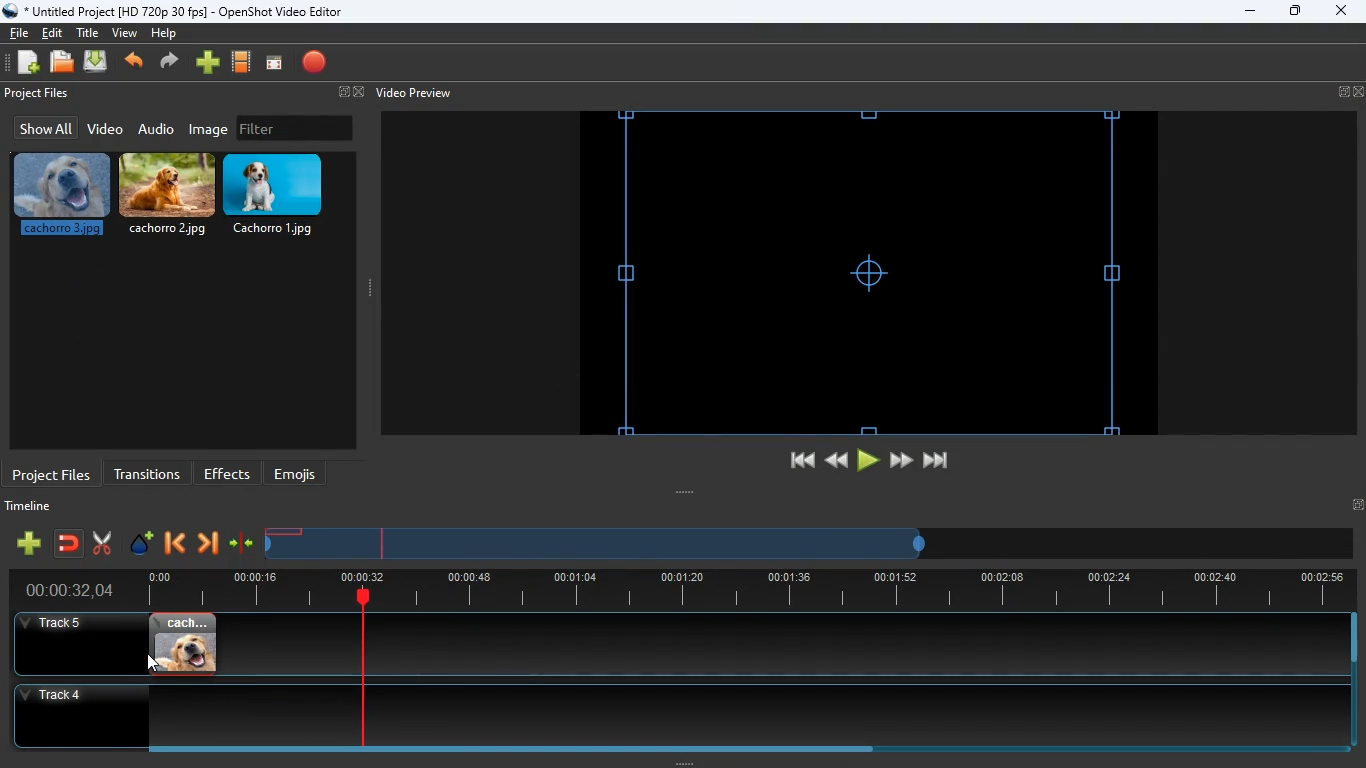 The width and height of the screenshot is (1366, 768). I want to click on effects, so click(228, 473).